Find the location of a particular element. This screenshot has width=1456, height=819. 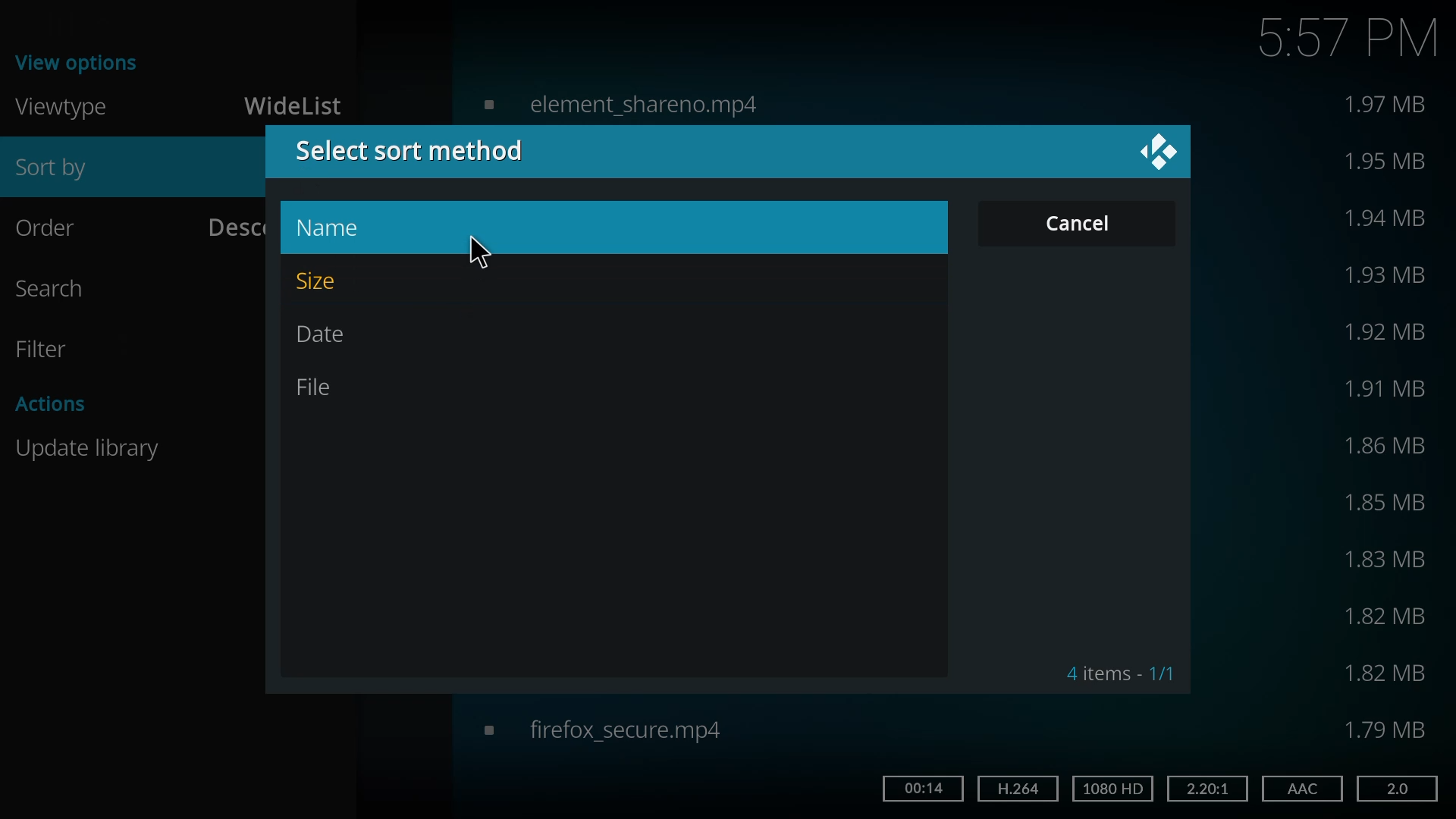

size is located at coordinates (1384, 618).